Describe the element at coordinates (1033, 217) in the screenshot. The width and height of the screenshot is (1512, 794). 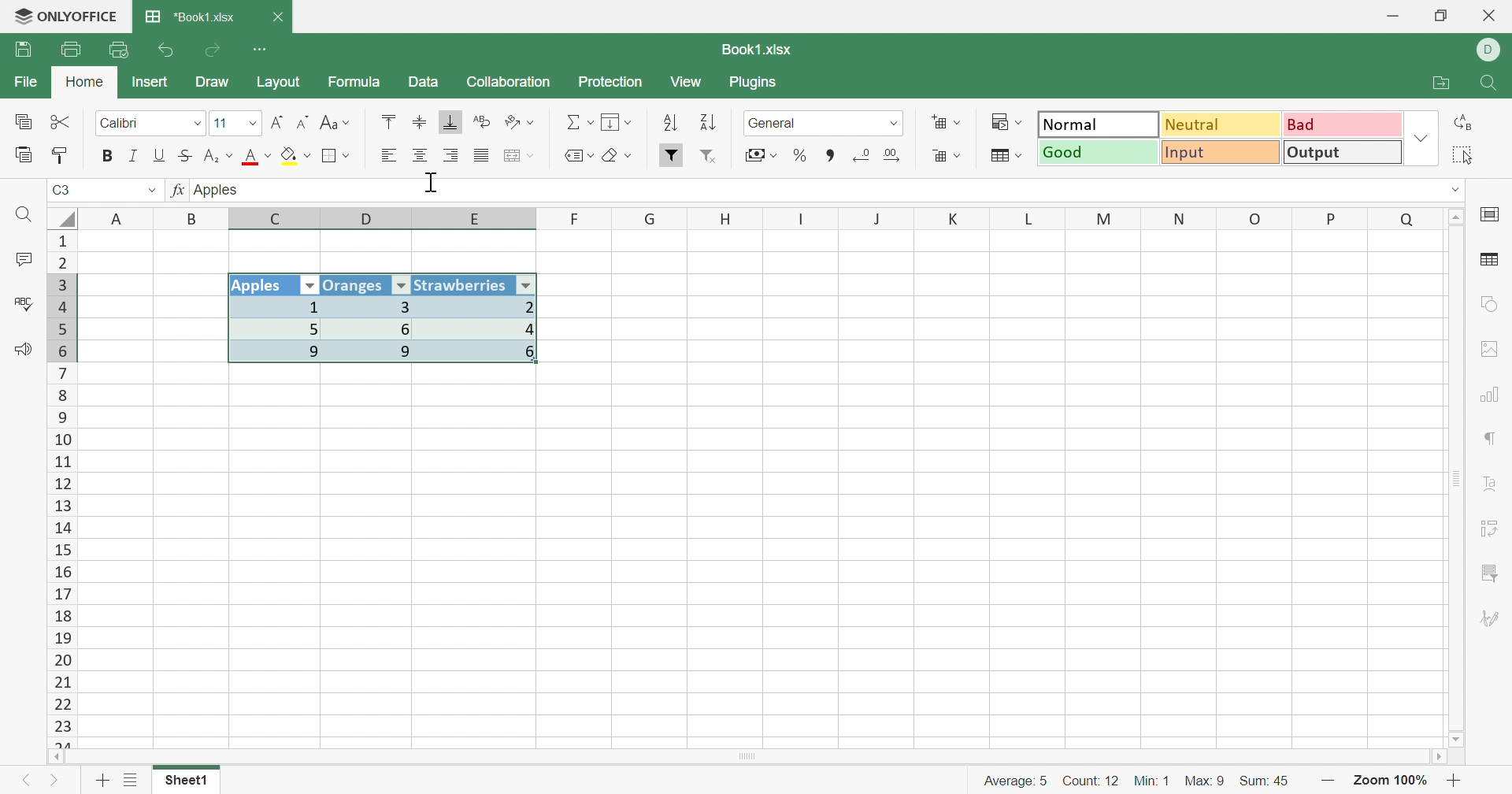
I see `L` at that location.